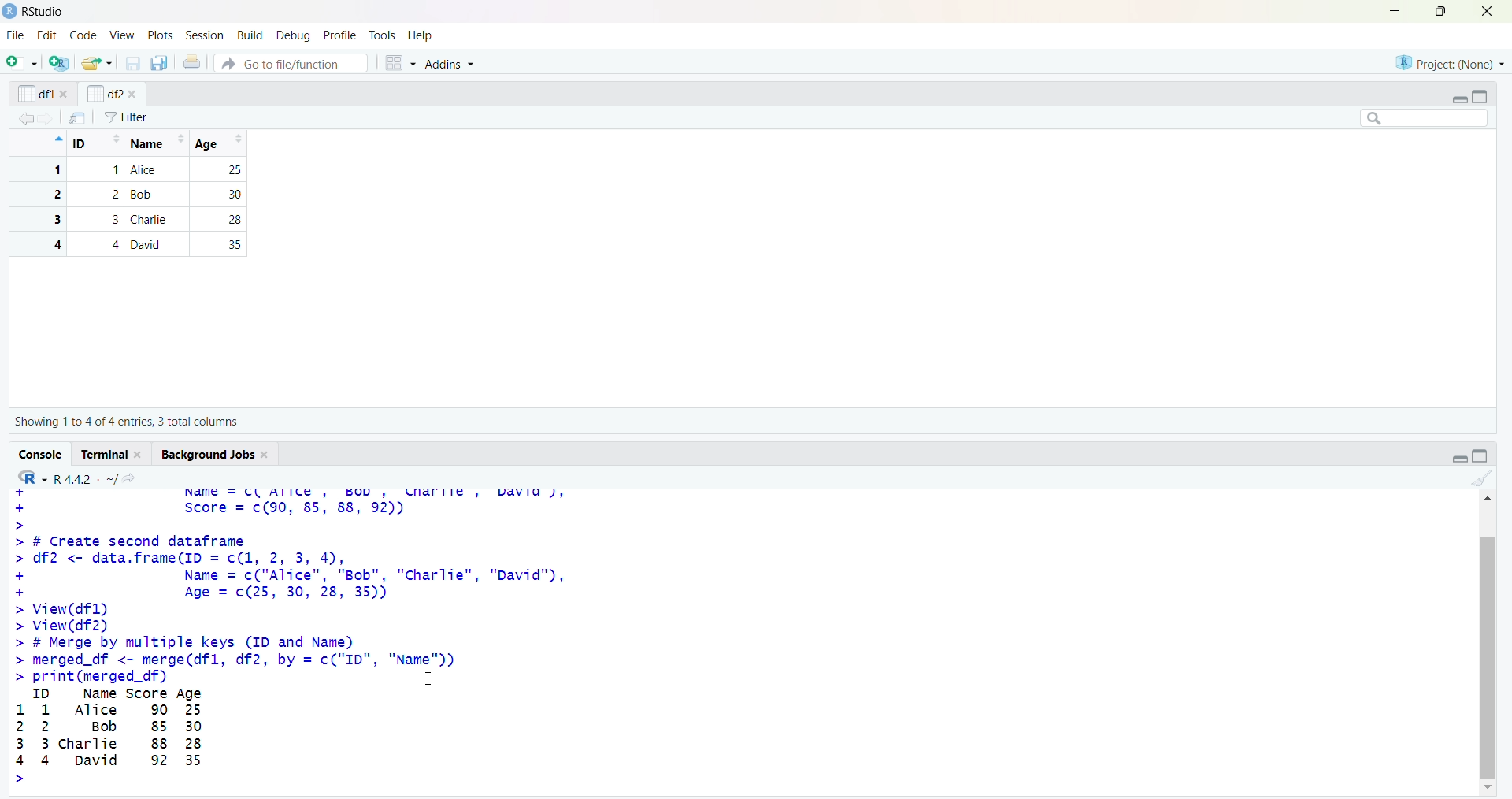 The image size is (1512, 799). I want to click on close, so click(65, 94).